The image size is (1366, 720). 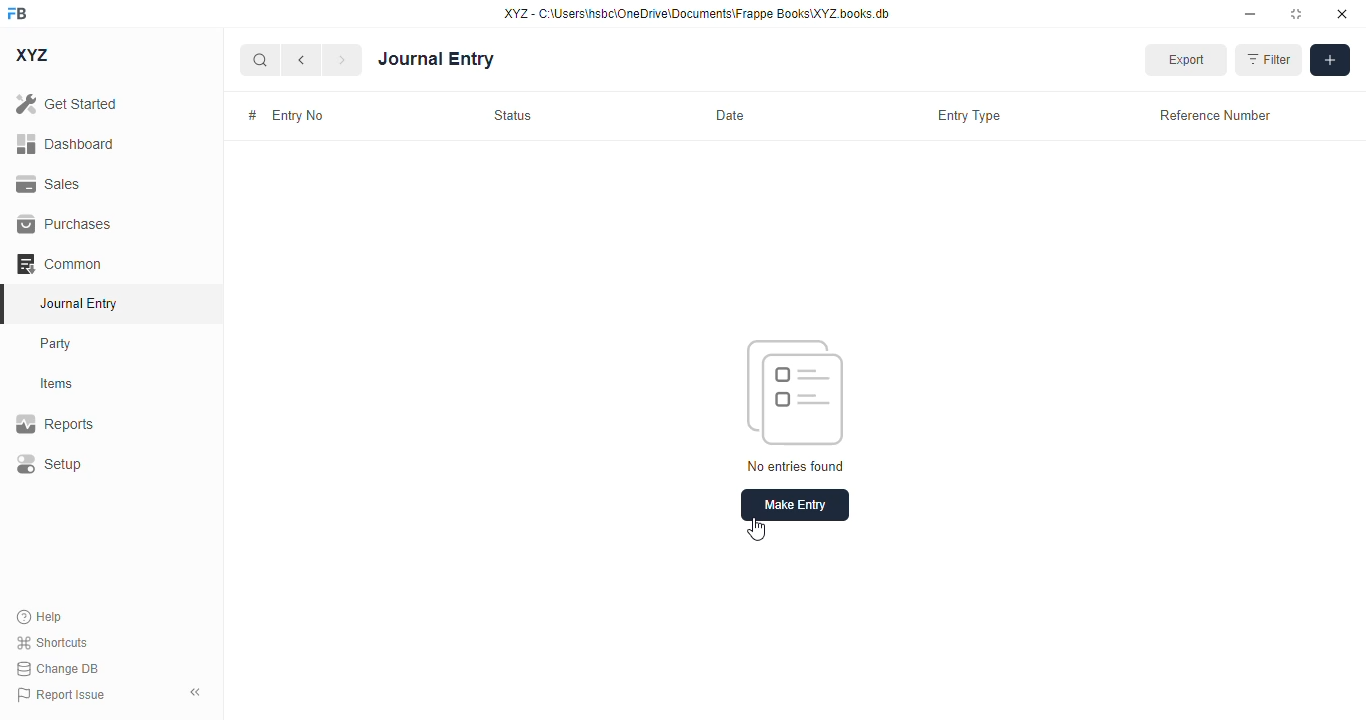 What do you see at coordinates (17, 12) in the screenshot?
I see `FB logo` at bounding box center [17, 12].